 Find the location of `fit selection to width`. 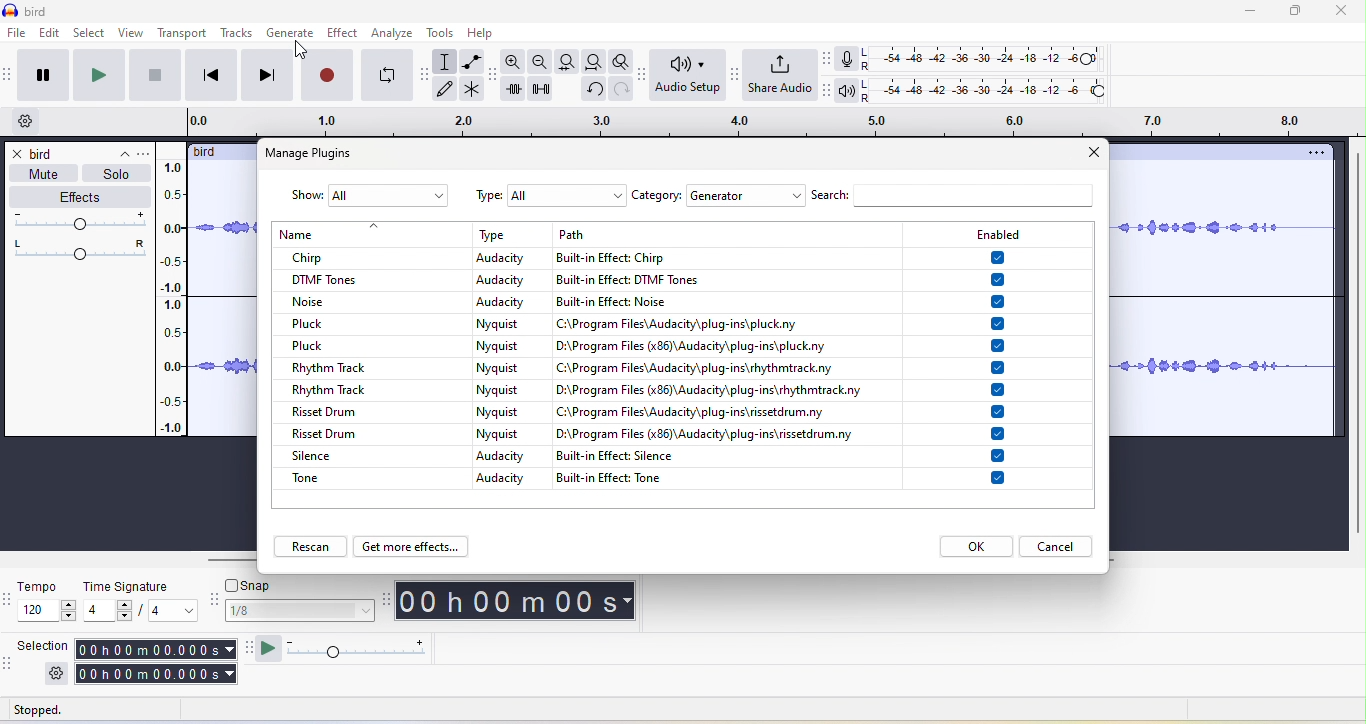

fit selection to width is located at coordinates (571, 61).